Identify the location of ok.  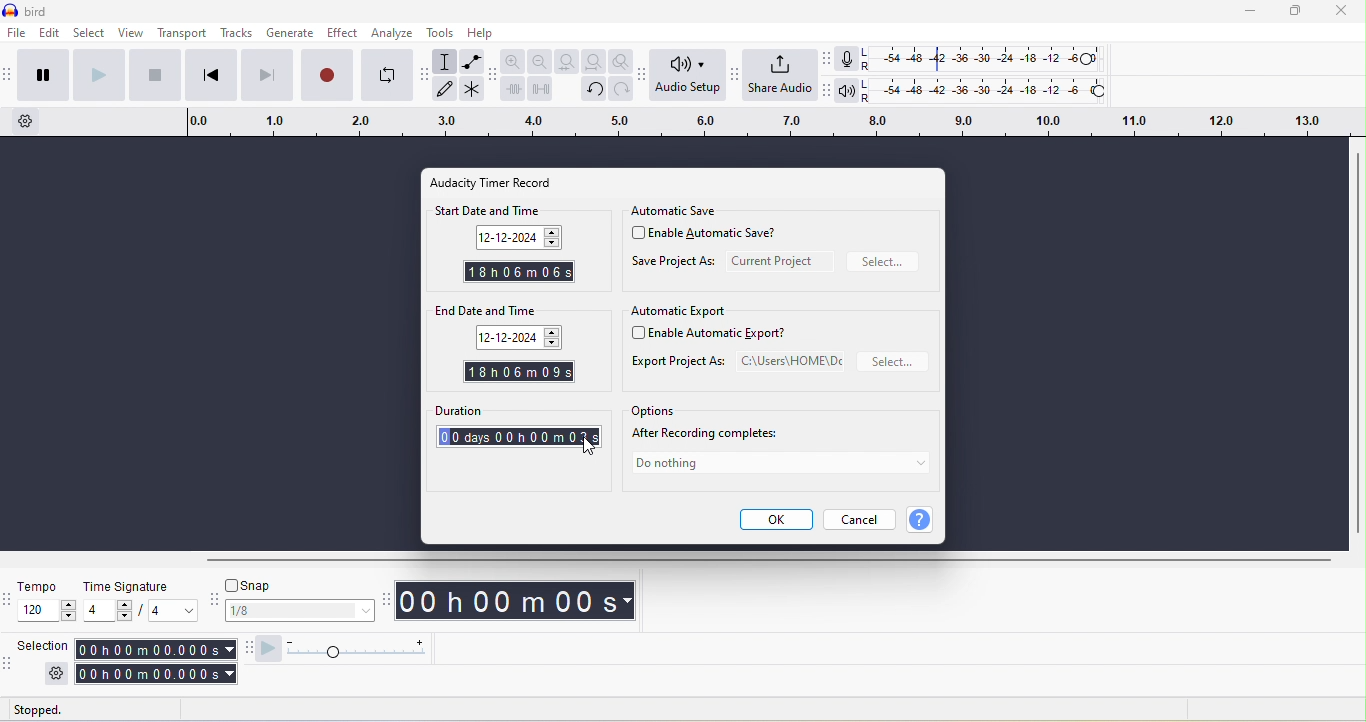
(775, 520).